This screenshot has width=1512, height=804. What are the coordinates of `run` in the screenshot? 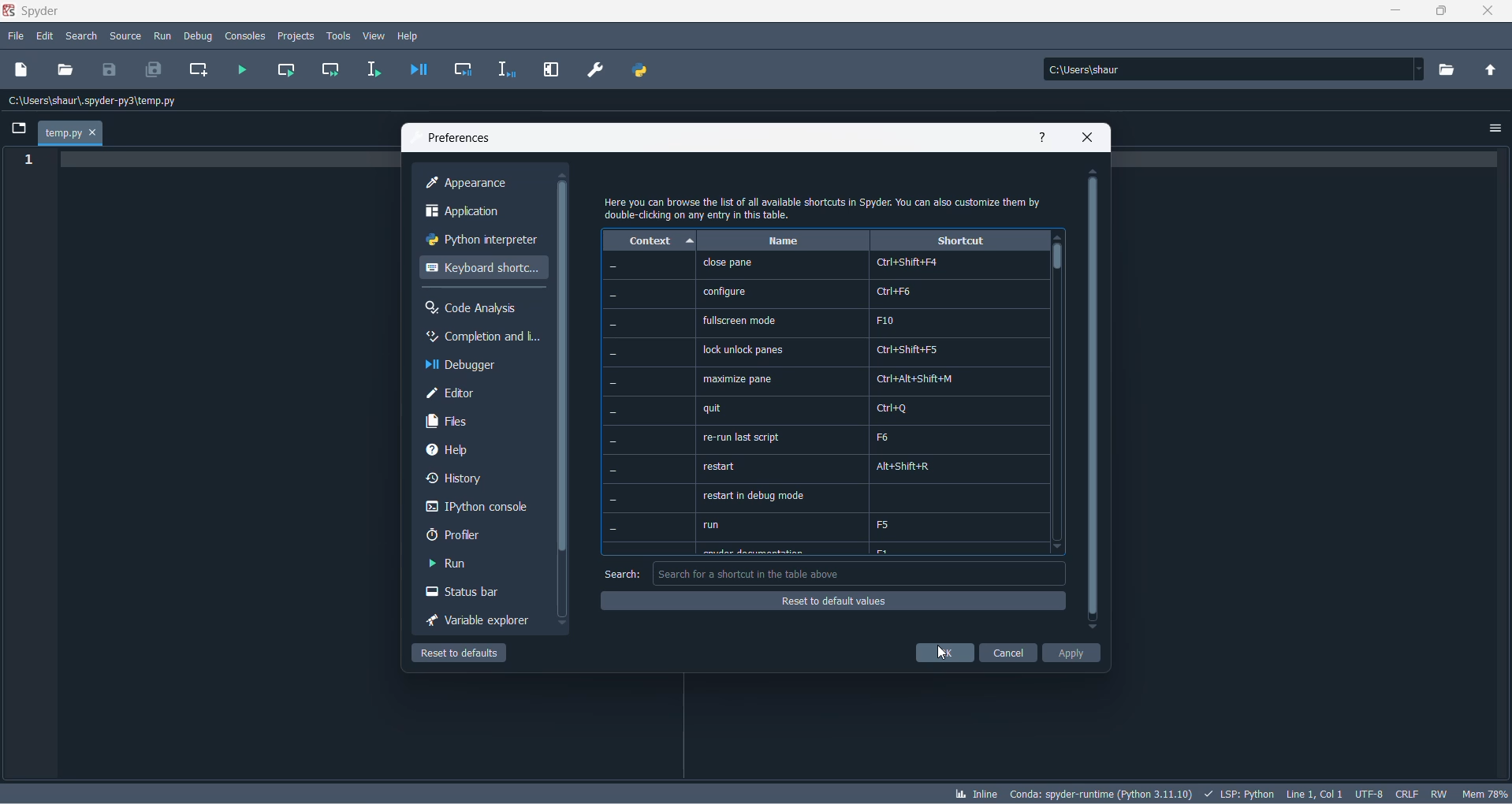 It's located at (713, 525).